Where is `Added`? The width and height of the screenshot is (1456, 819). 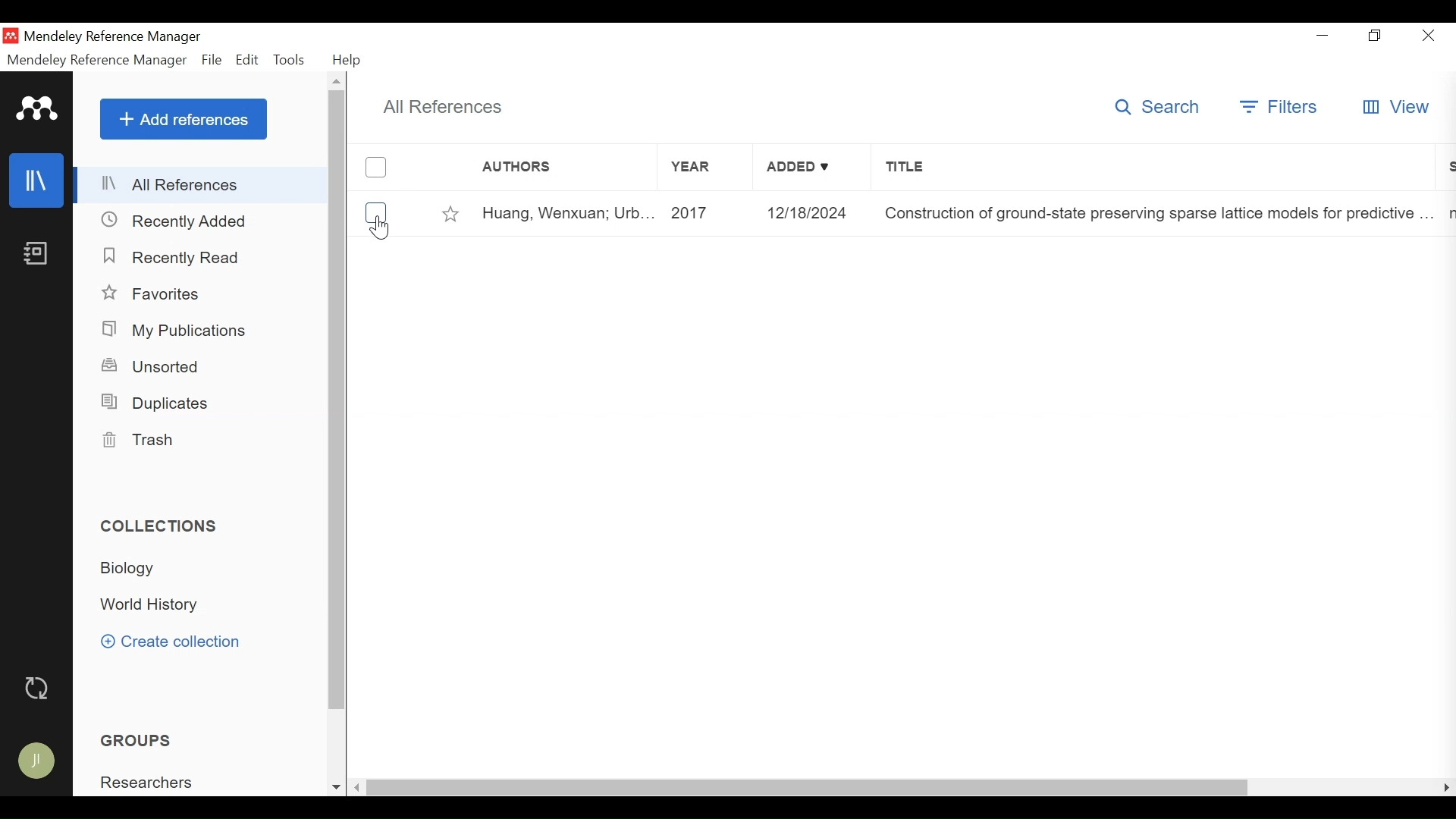 Added is located at coordinates (814, 170).